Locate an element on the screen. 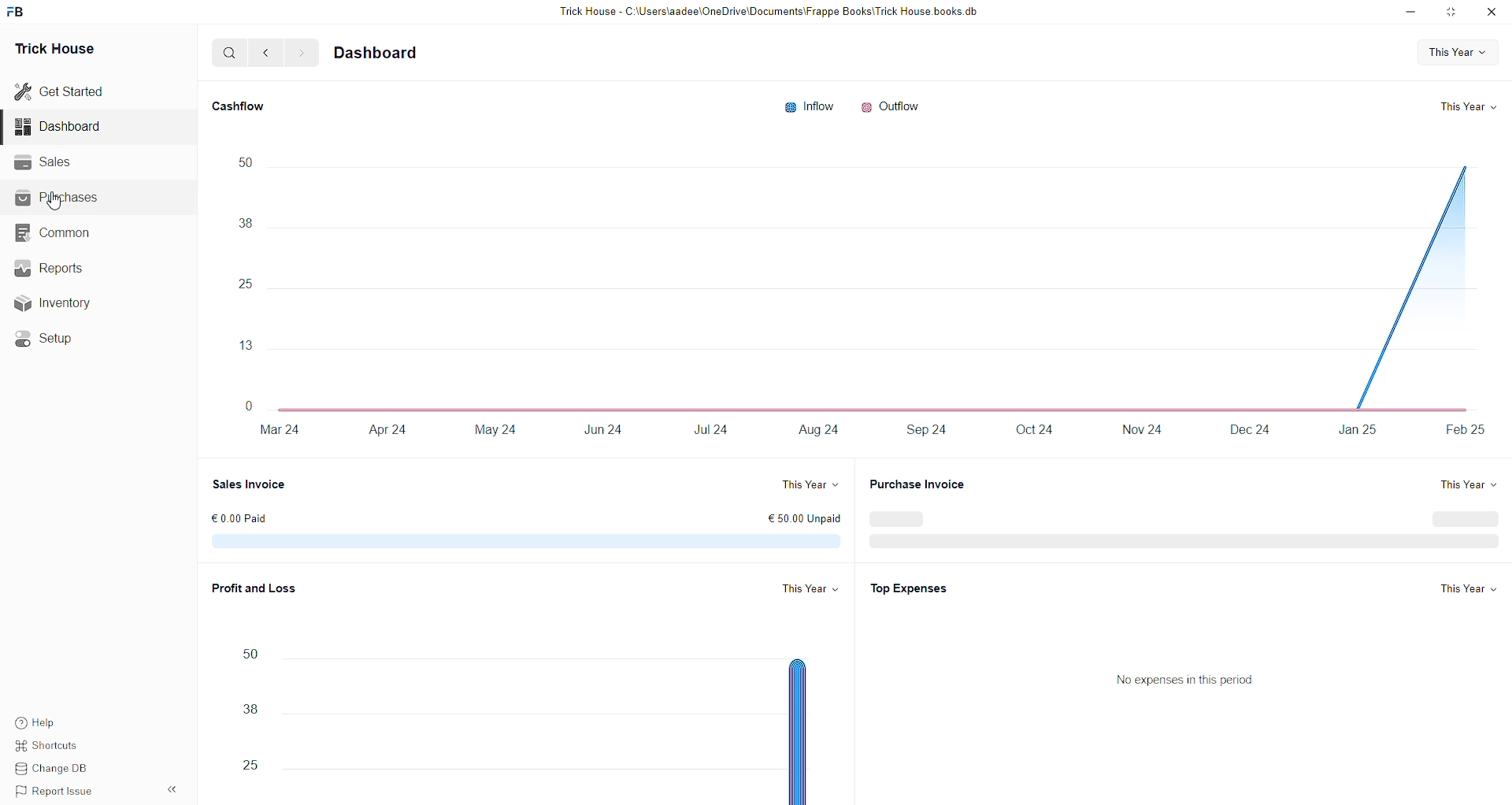  Oct 24 is located at coordinates (1028, 431).